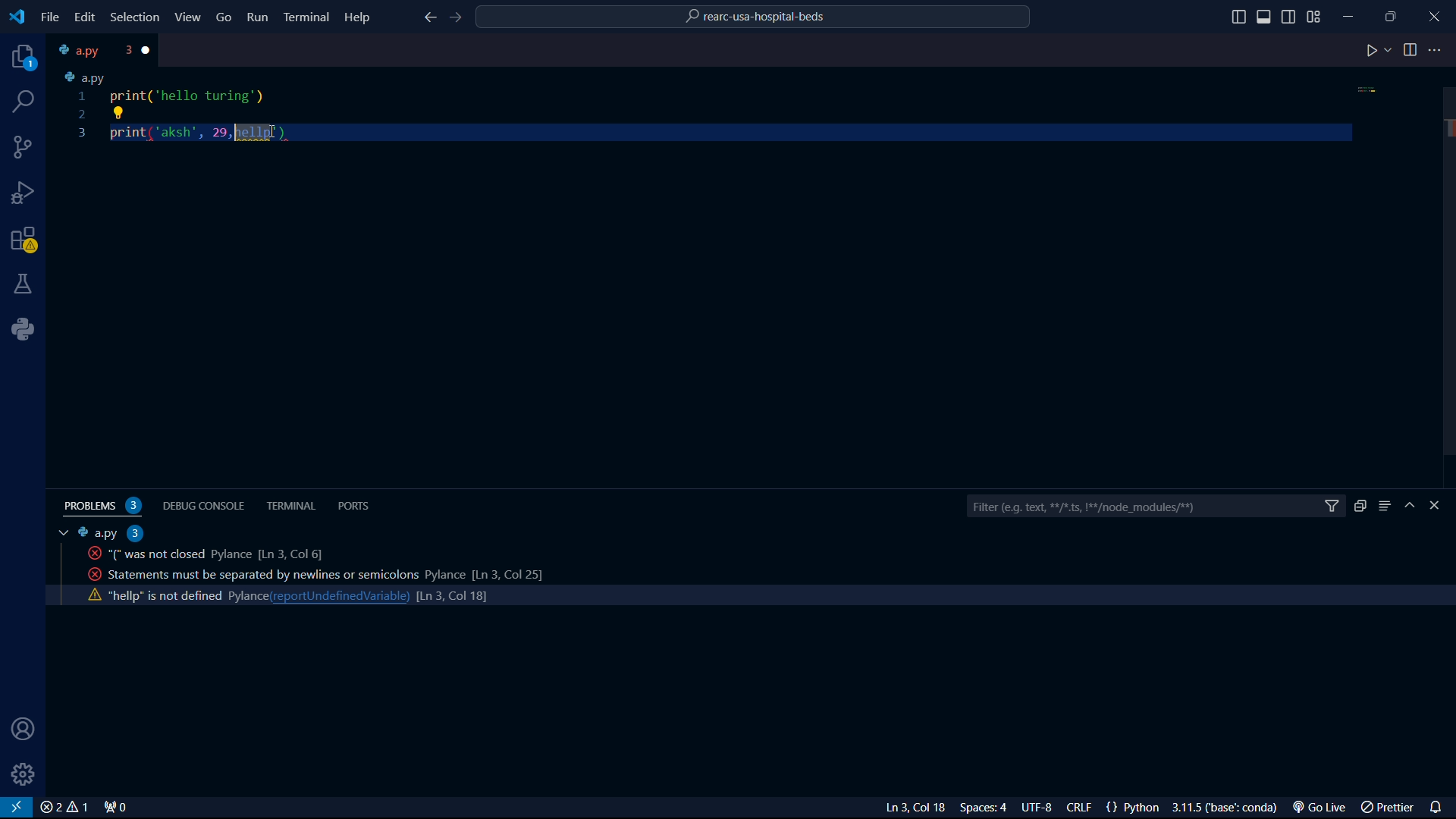 This screenshot has height=819, width=1456. I want to click on back, so click(428, 19).